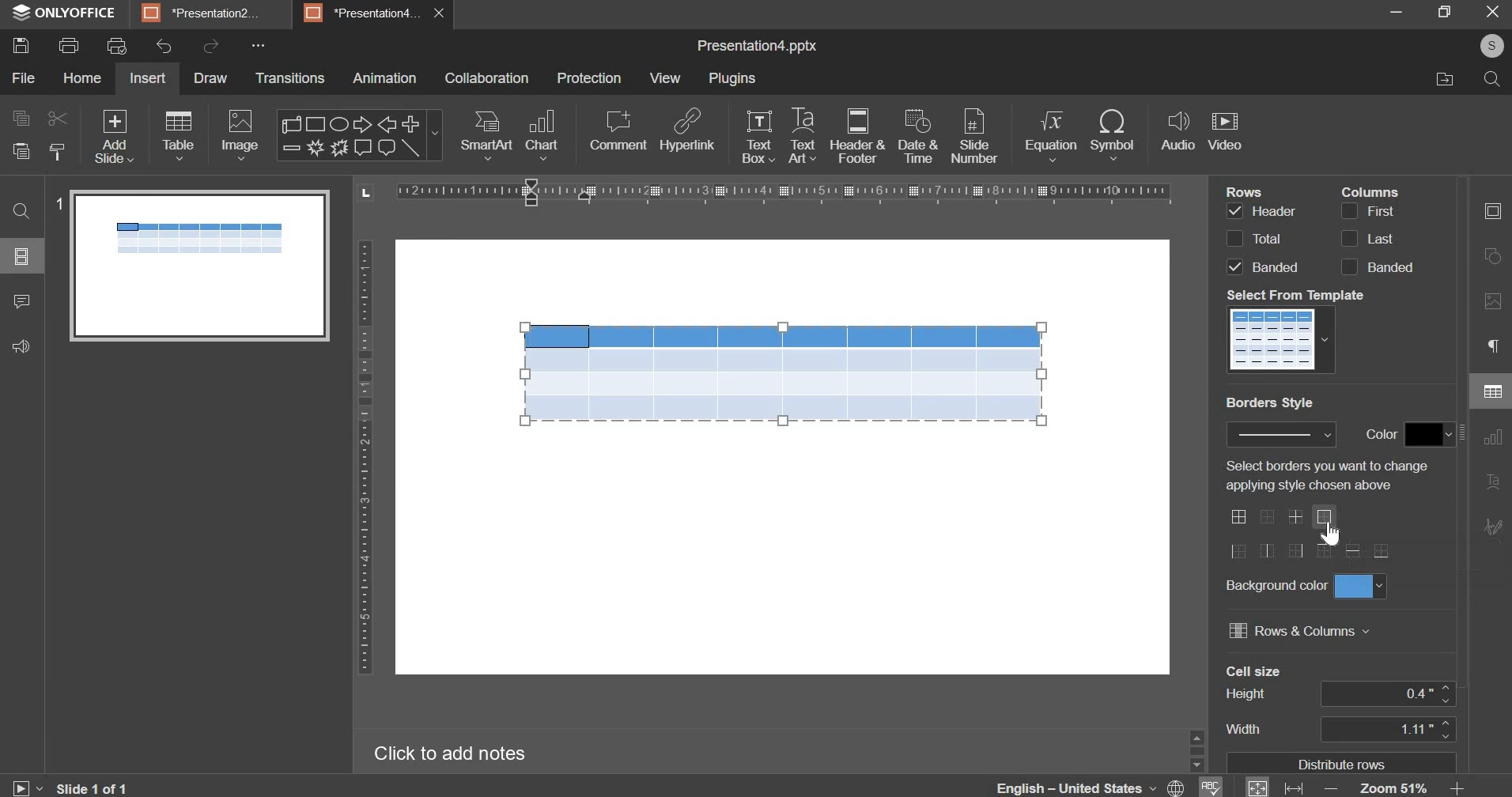  What do you see at coordinates (1489, 300) in the screenshot?
I see `image settings` at bounding box center [1489, 300].